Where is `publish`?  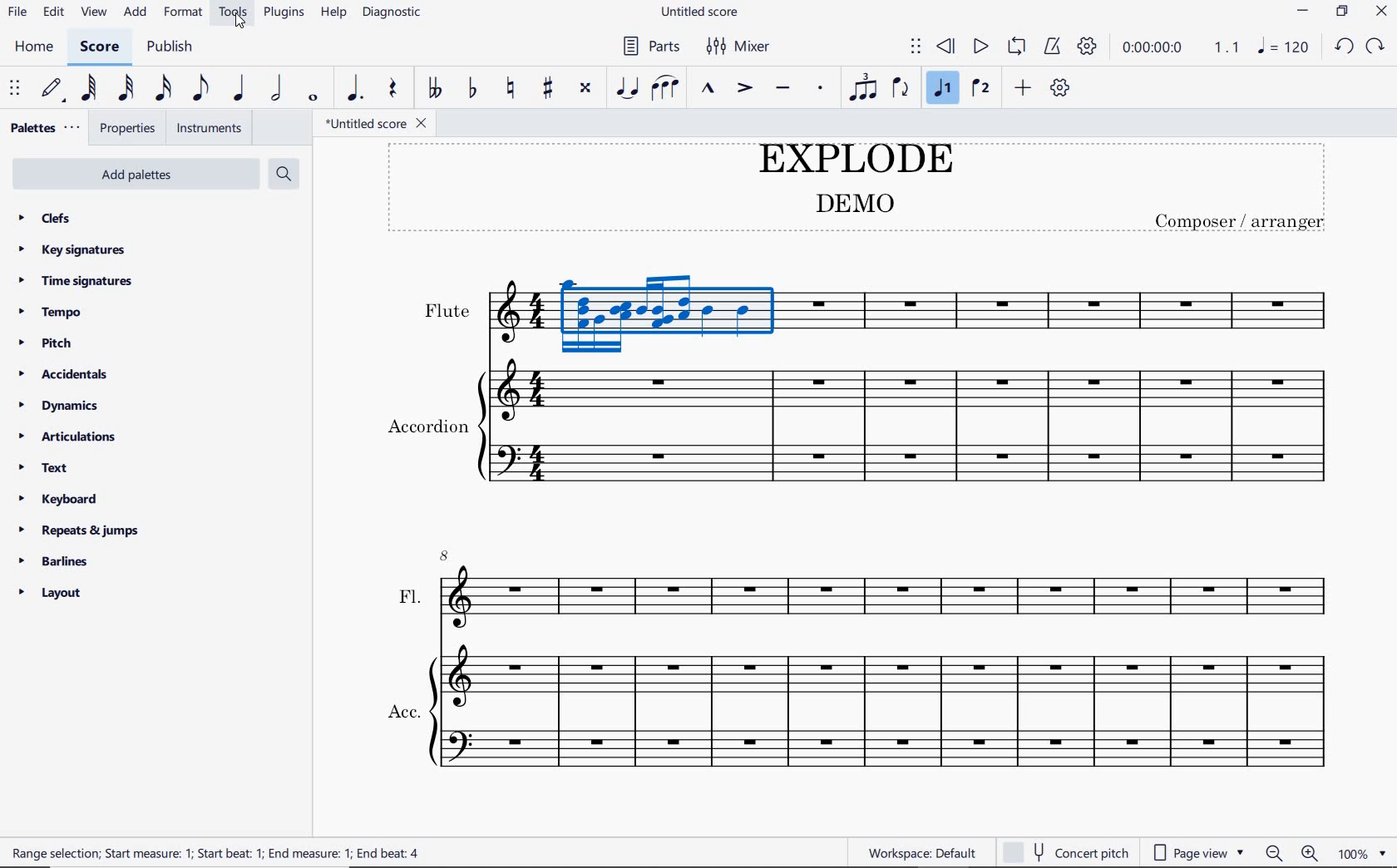
publish is located at coordinates (170, 47).